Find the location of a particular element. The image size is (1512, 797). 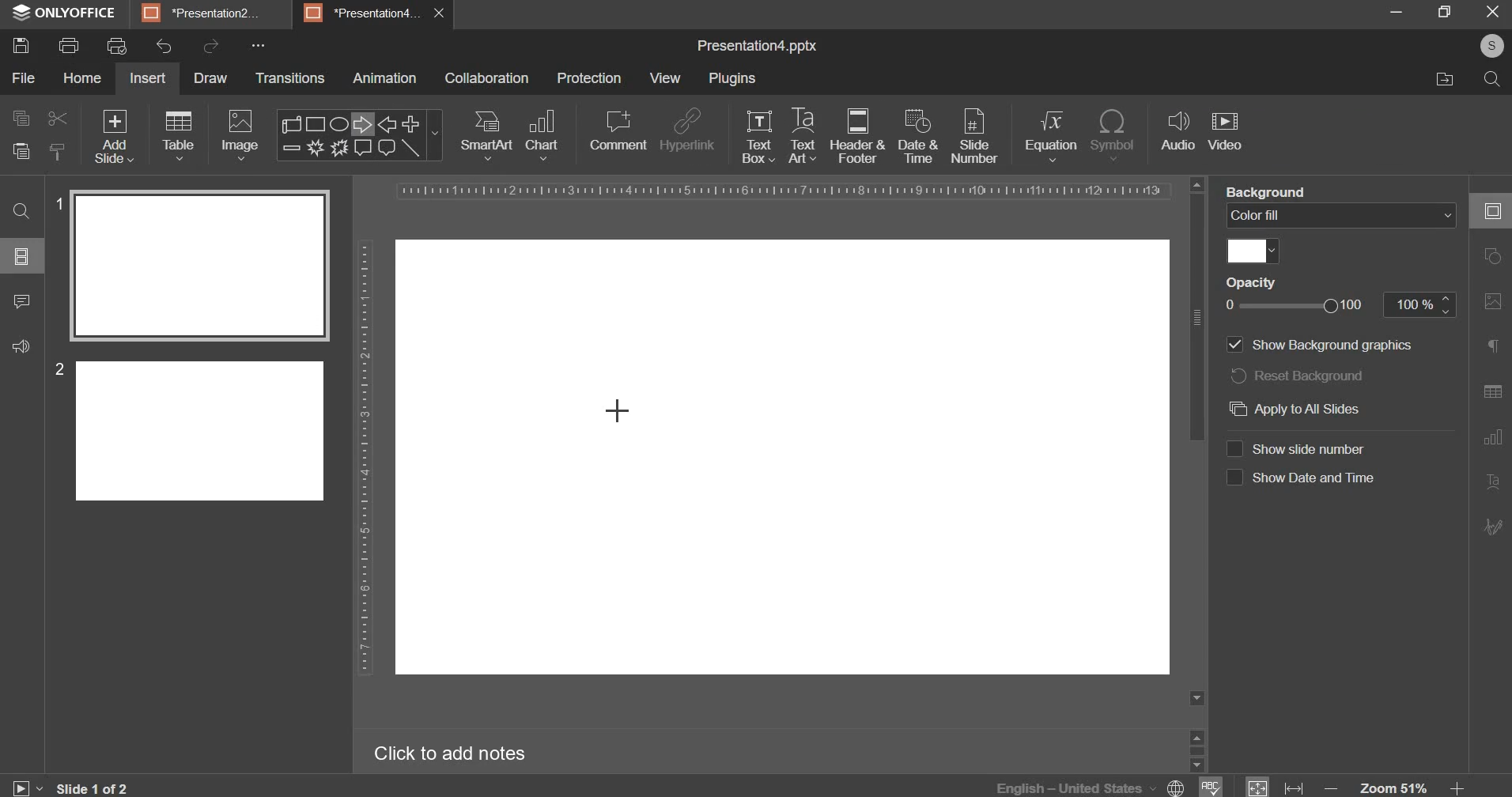

cut is located at coordinates (55, 117).